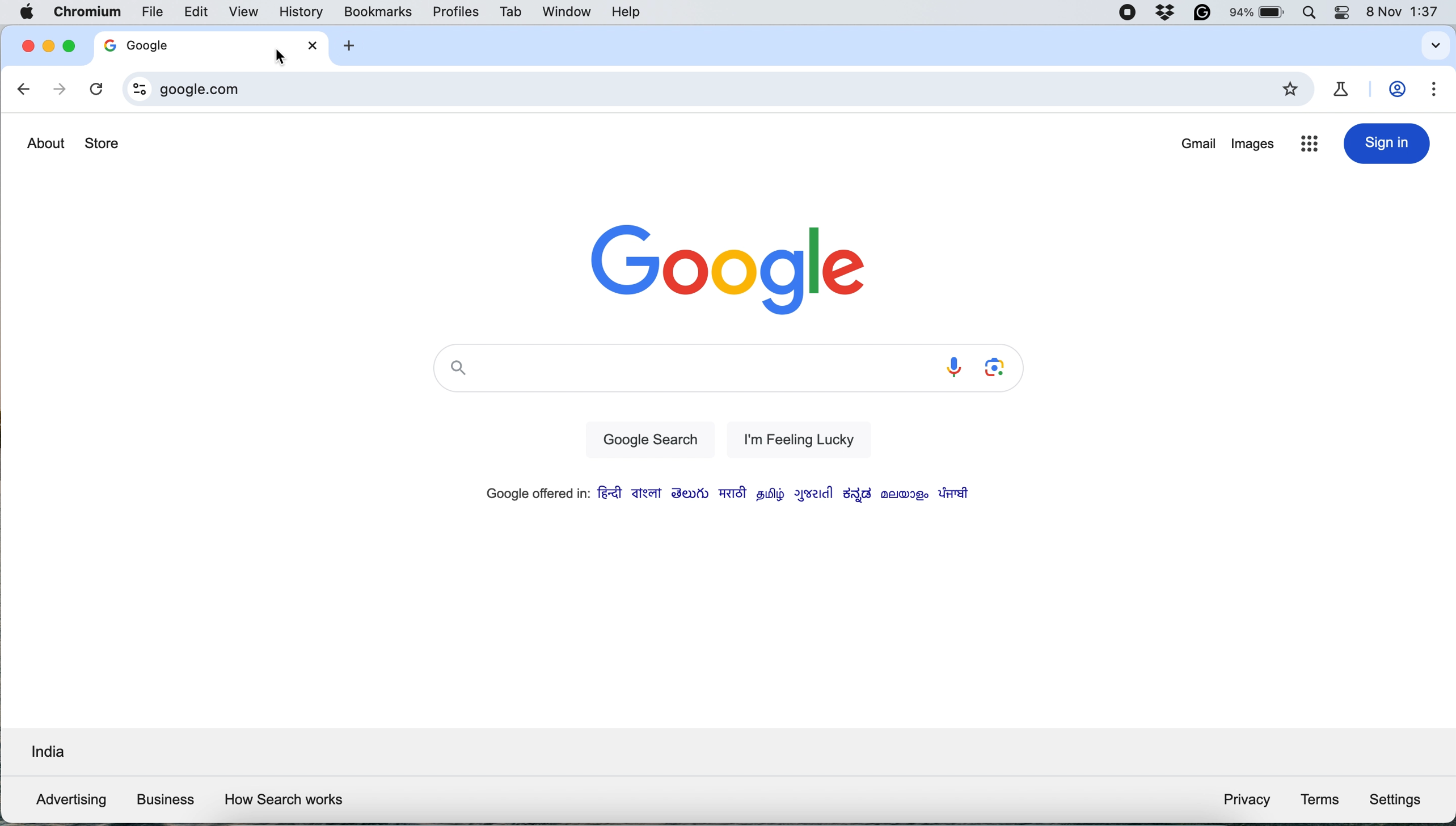 This screenshot has width=1456, height=826. I want to click on search bar, so click(680, 371).